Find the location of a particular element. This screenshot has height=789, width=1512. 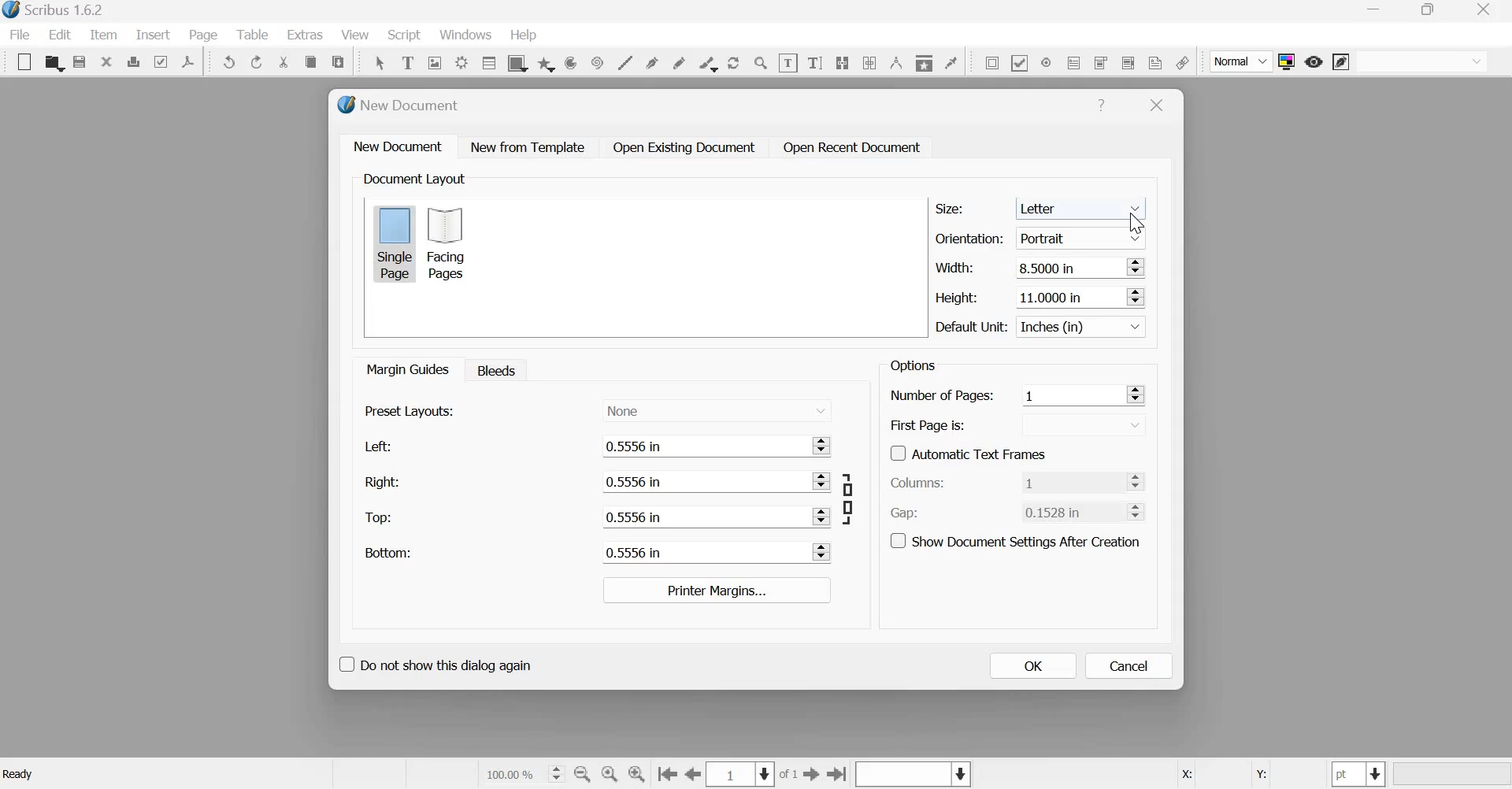

minimize is located at coordinates (1376, 11).